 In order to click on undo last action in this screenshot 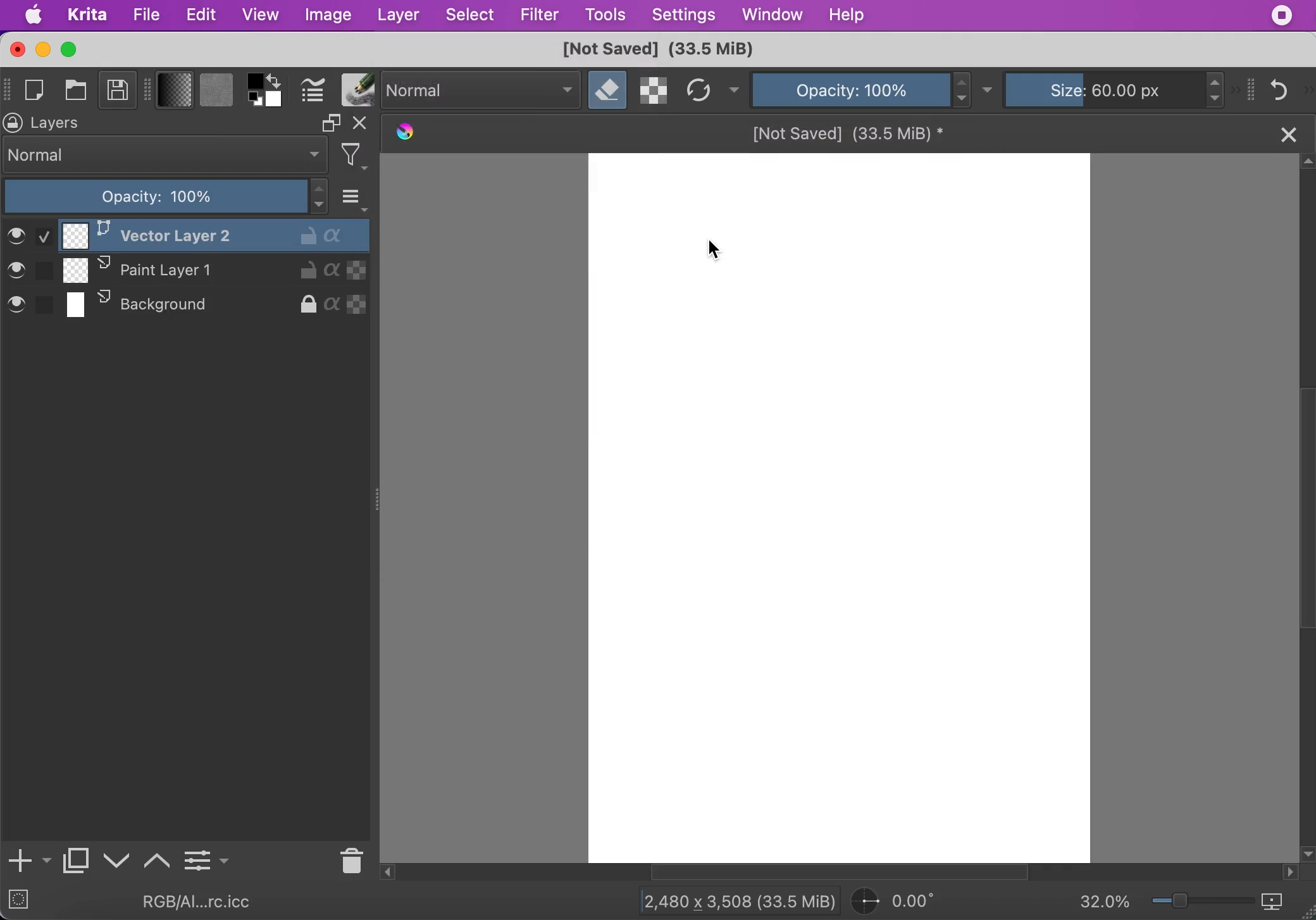, I will do `click(1281, 89)`.